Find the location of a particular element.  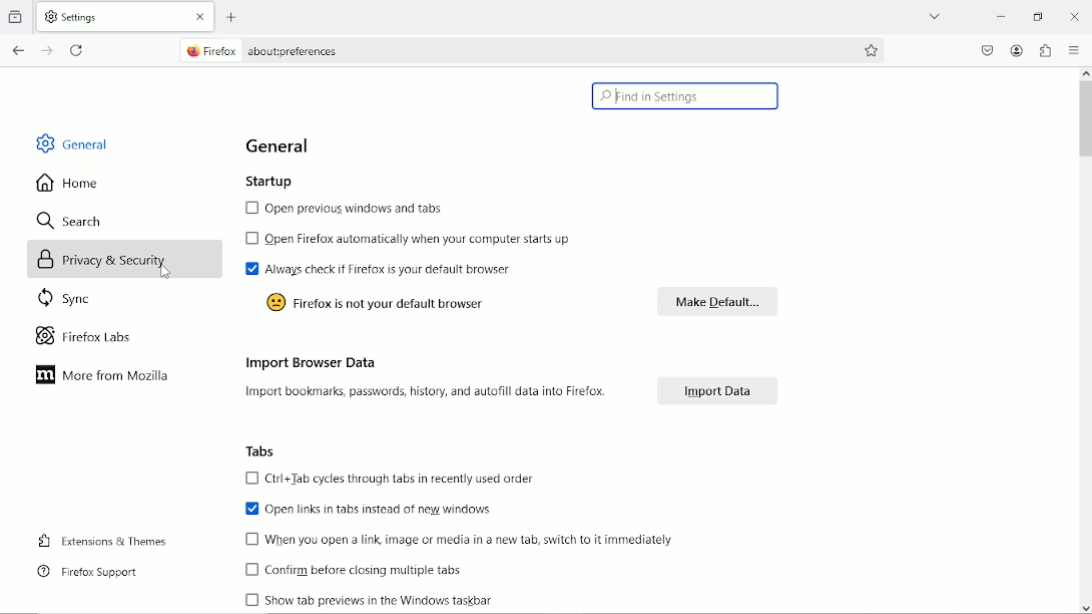

cursor is located at coordinates (169, 277).